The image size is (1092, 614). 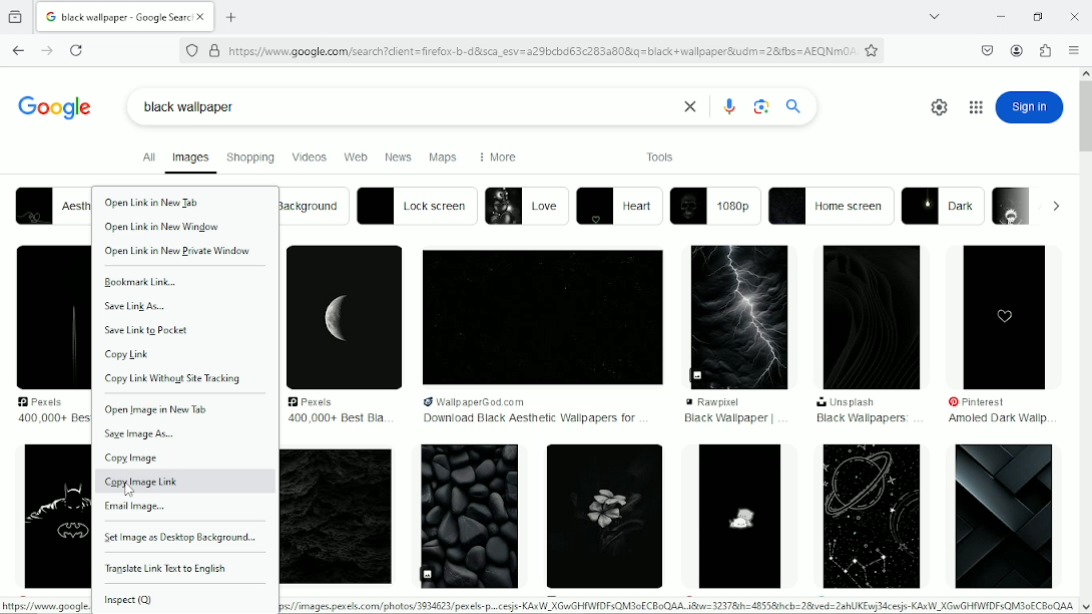 What do you see at coordinates (1085, 121) in the screenshot?
I see `Vertical scrollbar` at bounding box center [1085, 121].